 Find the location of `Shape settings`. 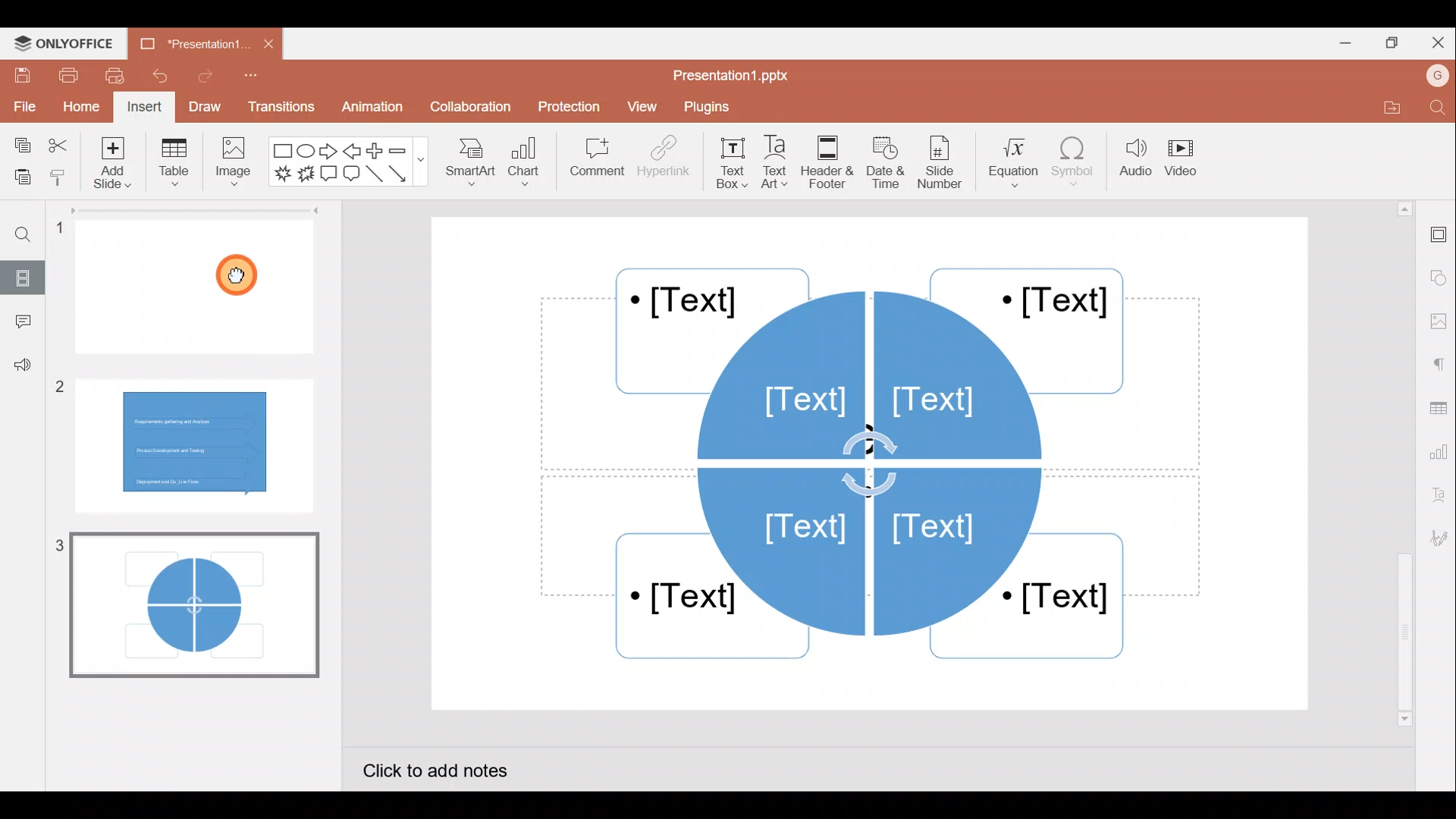

Shape settings is located at coordinates (1439, 272).